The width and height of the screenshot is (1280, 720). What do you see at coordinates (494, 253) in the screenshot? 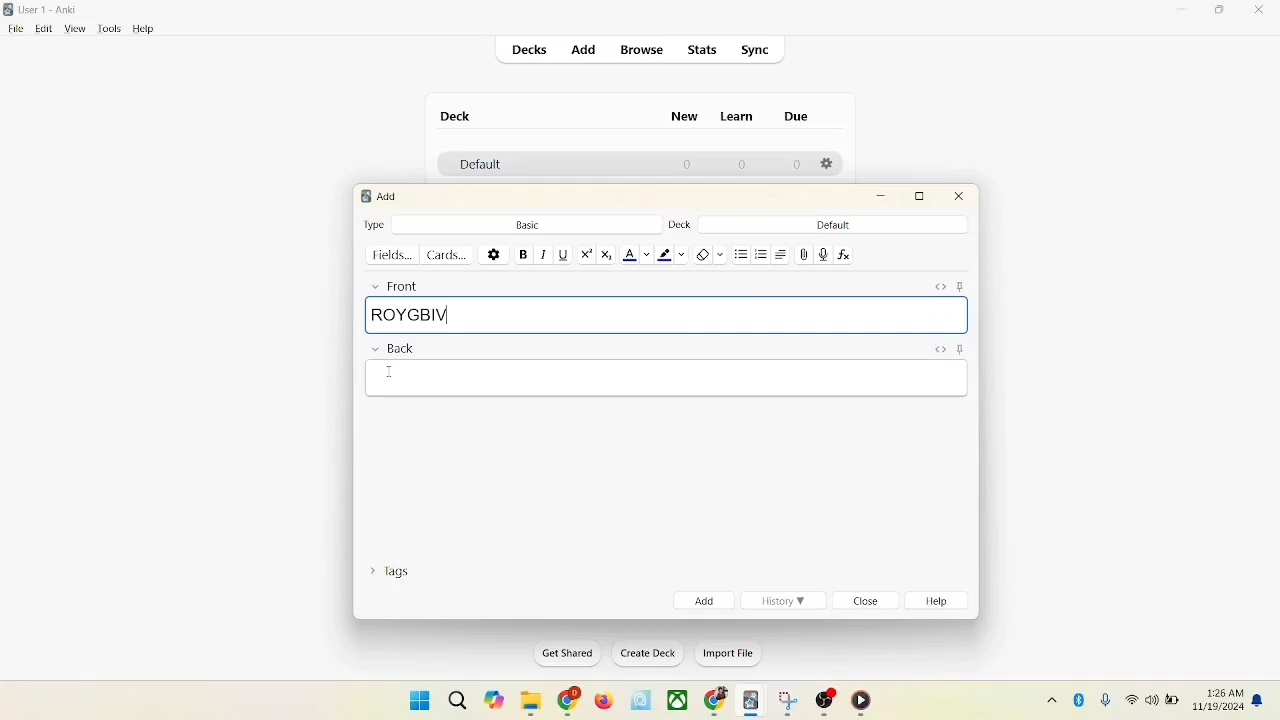
I see `settings` at bounding box center [494, 253].